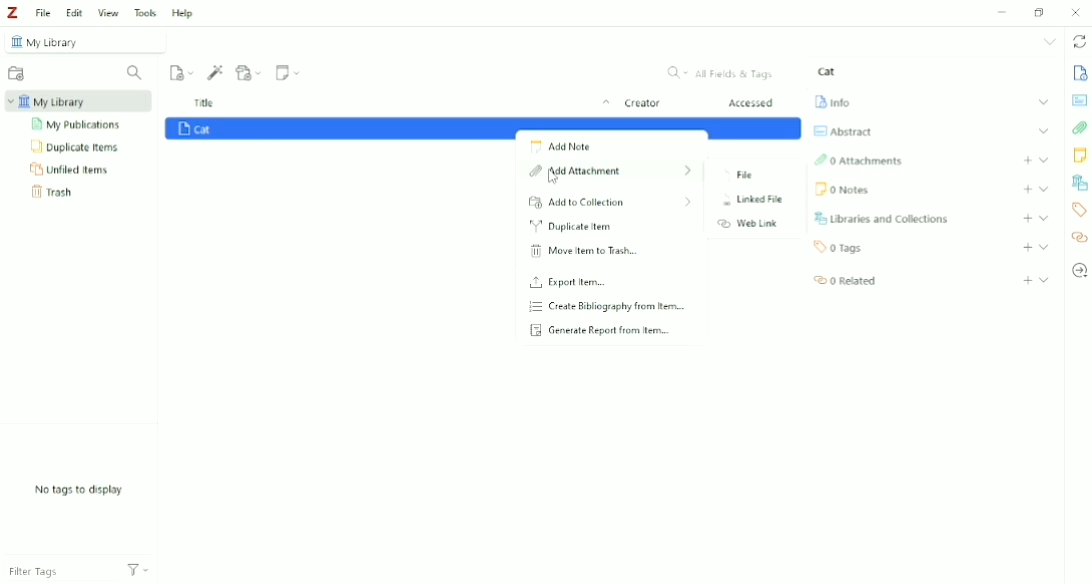  Describe the element at coordinates (748, 224) in the screenshot. I see `Web Link` at that location.